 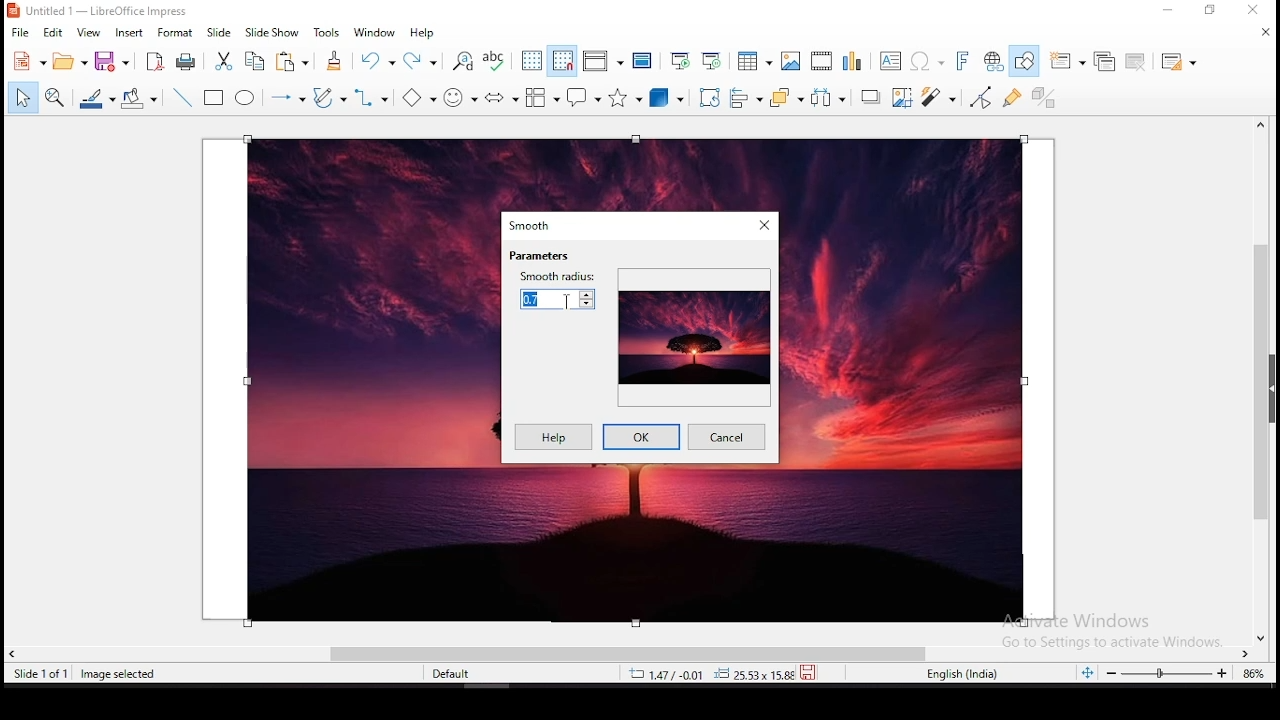 What do you see at coordinates (53, 98) in the screenshot?
I see `zoom and pan` at bounding box center [53, 98].